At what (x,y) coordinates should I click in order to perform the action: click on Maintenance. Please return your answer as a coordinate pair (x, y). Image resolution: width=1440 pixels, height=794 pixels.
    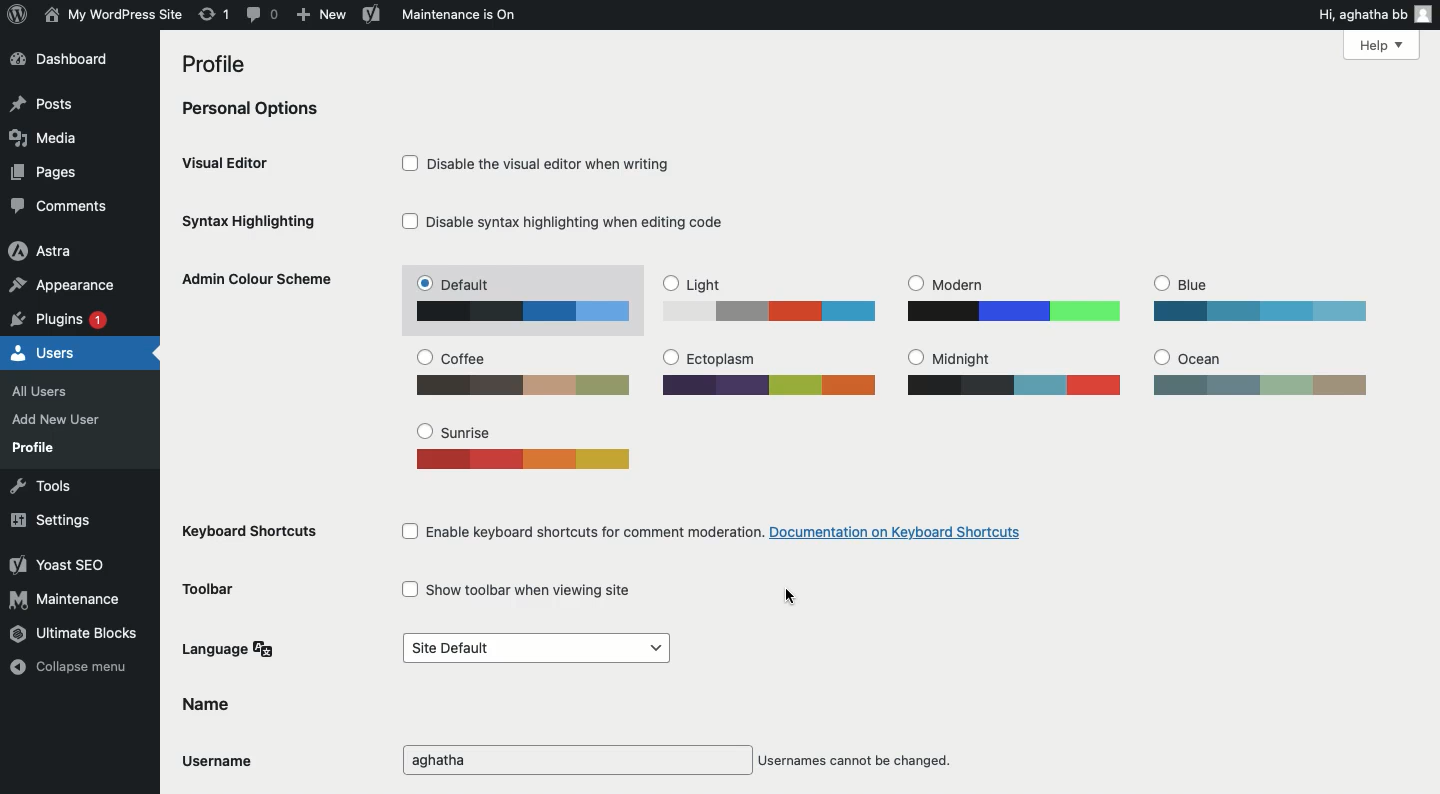
    Looking at the image, I should click on (66, 597).